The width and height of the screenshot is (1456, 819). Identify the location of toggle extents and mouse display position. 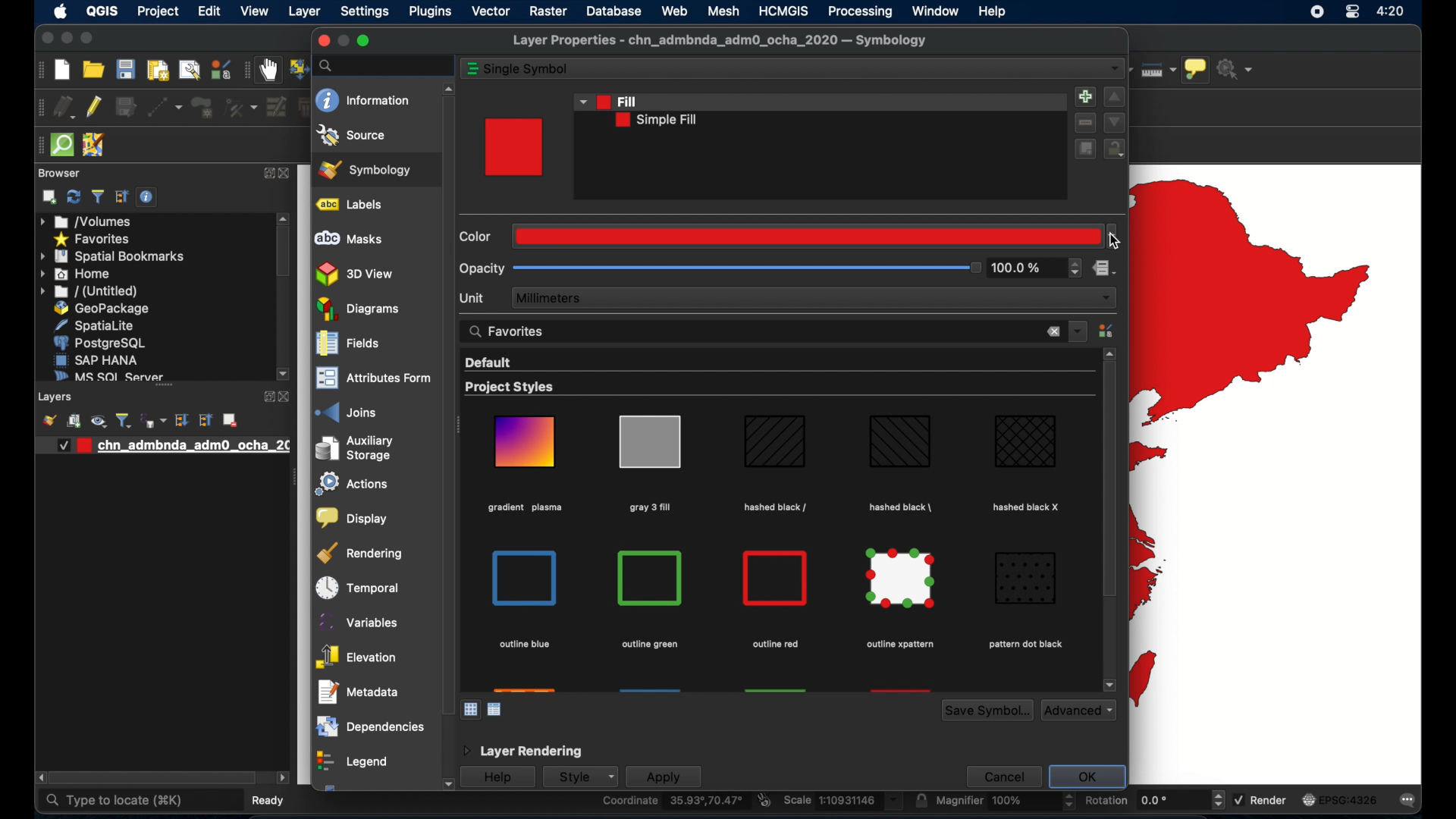
(764, 800).